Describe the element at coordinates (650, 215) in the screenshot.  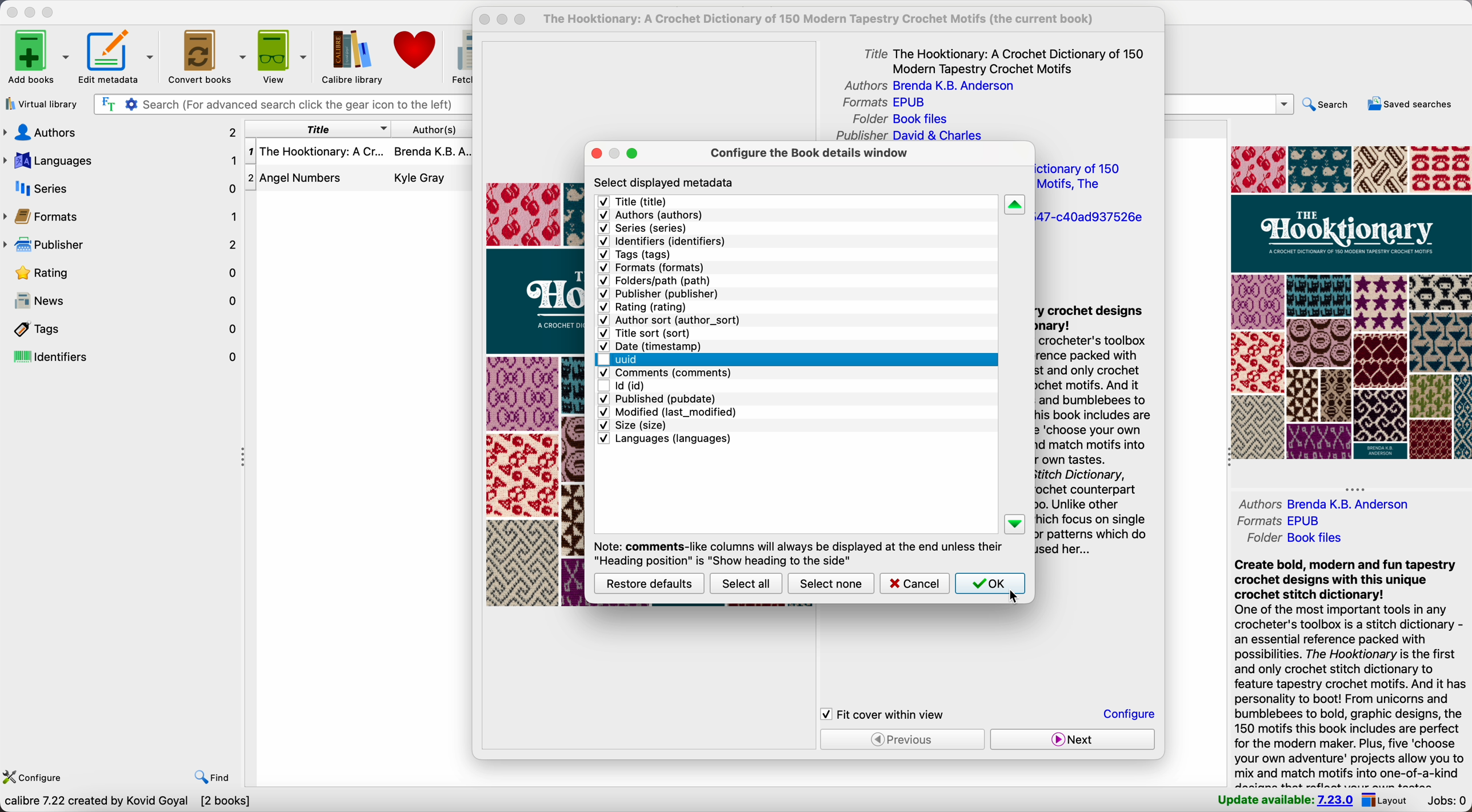
I see `authors` at that location.